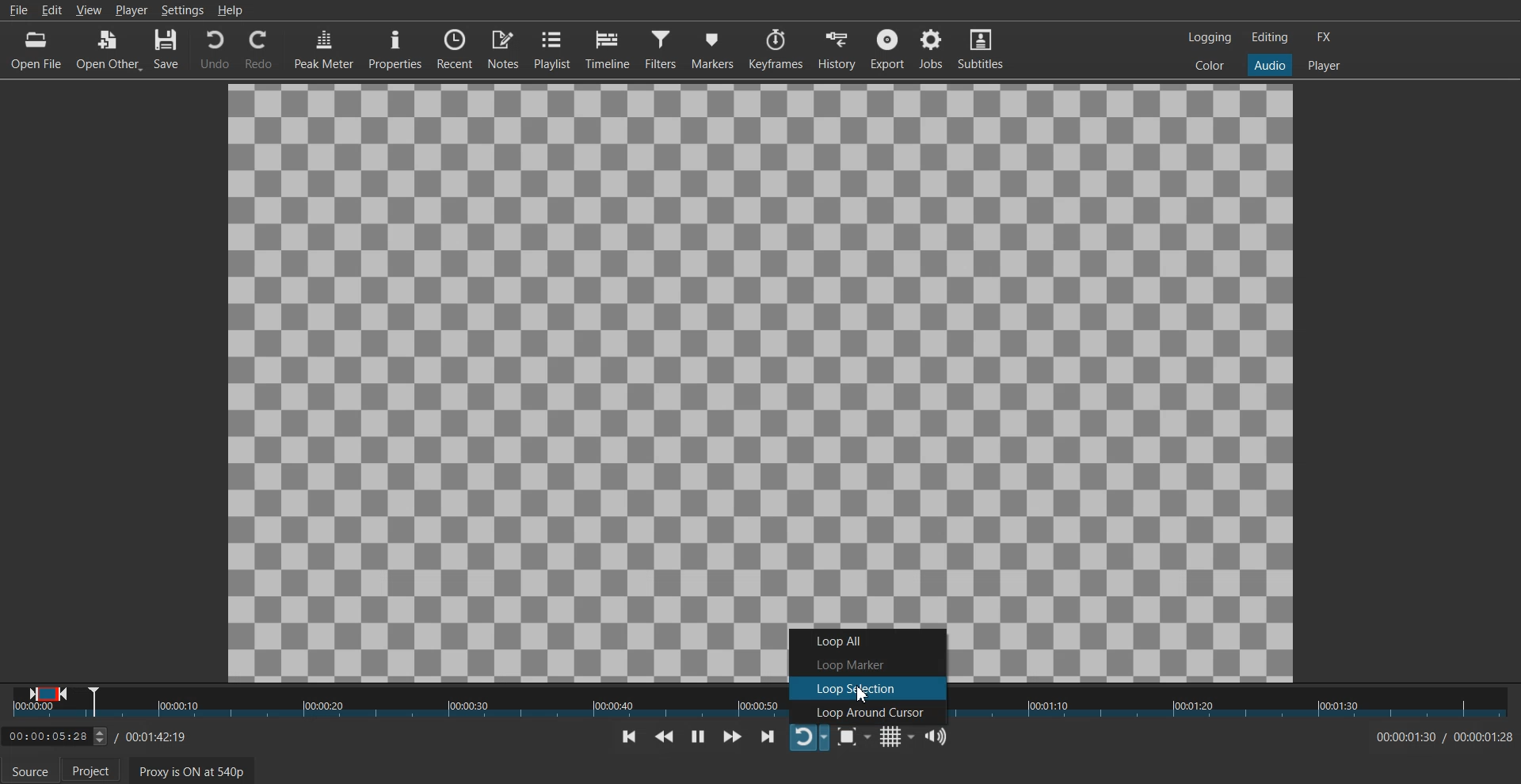 The width and height of the screenshot is (1521, 784). What do you see at coordinates (51, 10) in the screenshot?
I see `Edit` at bounding box center [51, 10].